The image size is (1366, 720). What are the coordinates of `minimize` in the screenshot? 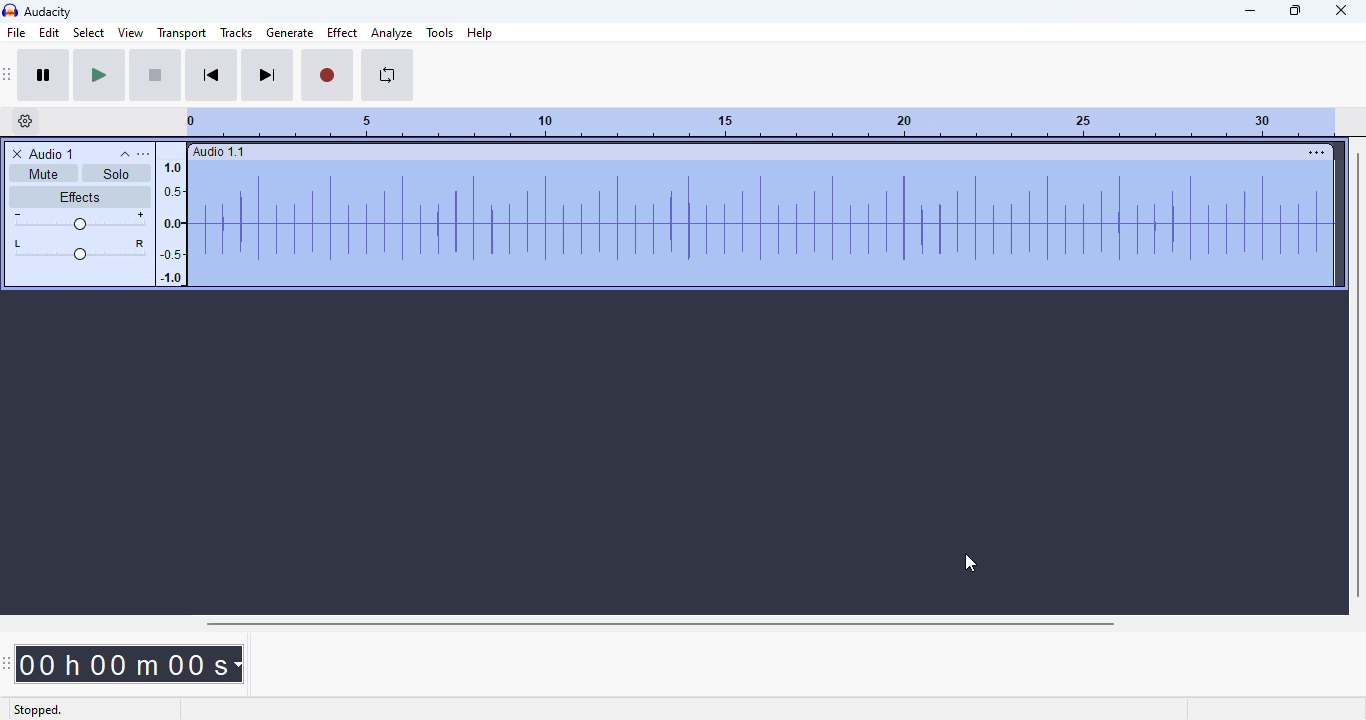 It's located at (1252, 11).